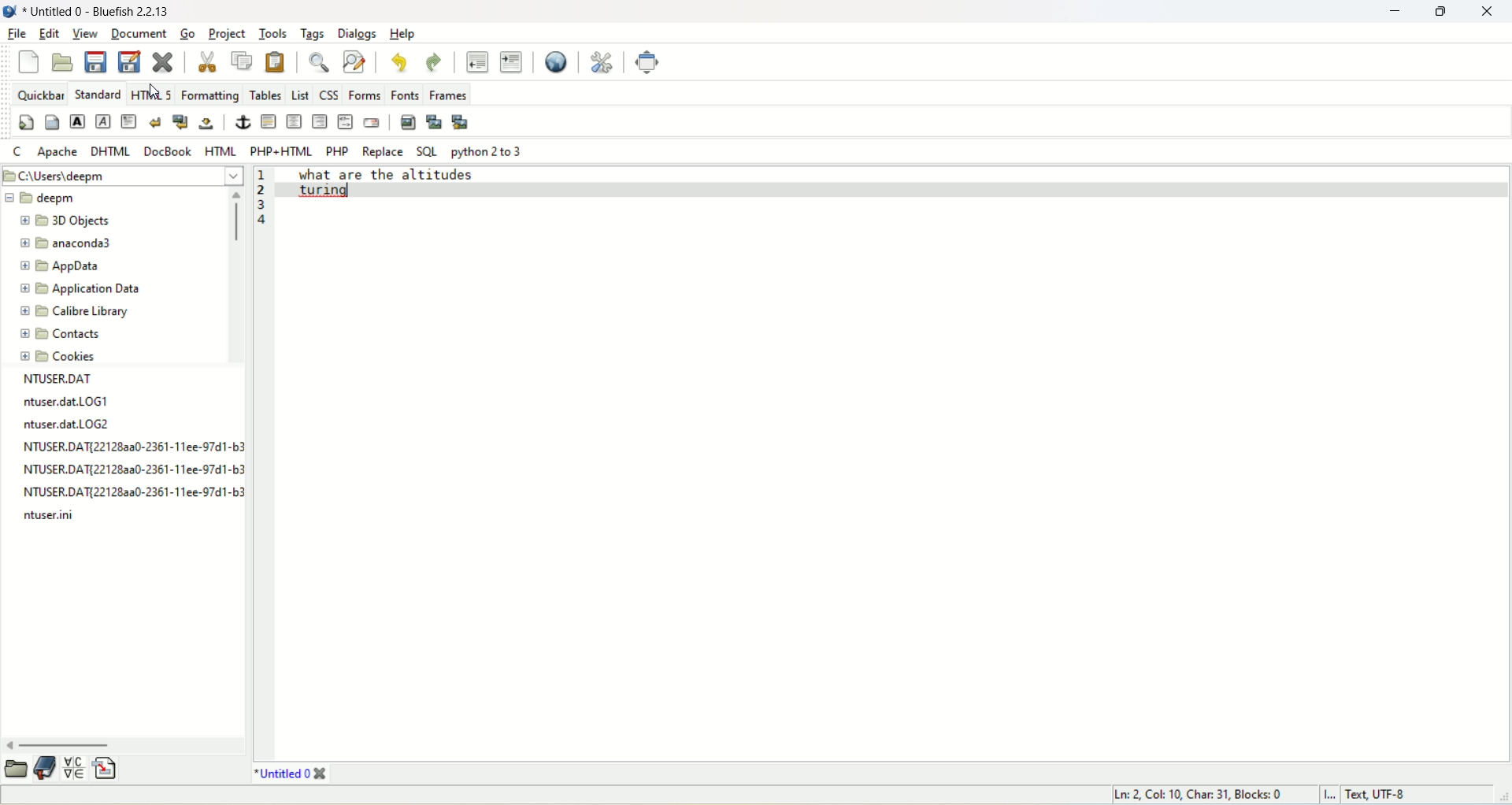 The image size is (1512, 805). Describe the element at coordinates (77, 768) in the screenshot. I see `insert special character` at that location.